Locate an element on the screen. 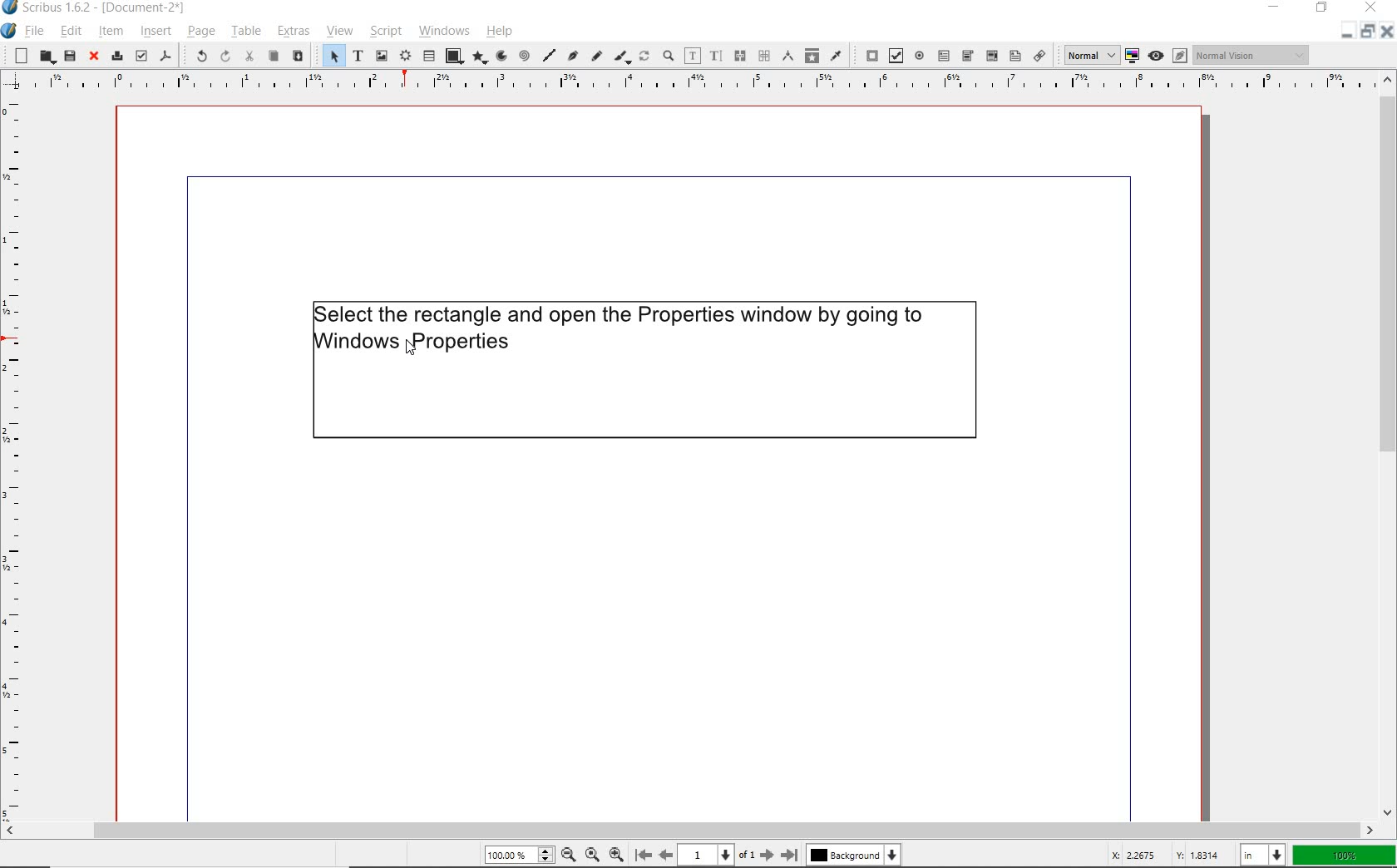 This screenshot has height=868, width=1397. close is located at coordinates (94, 57).